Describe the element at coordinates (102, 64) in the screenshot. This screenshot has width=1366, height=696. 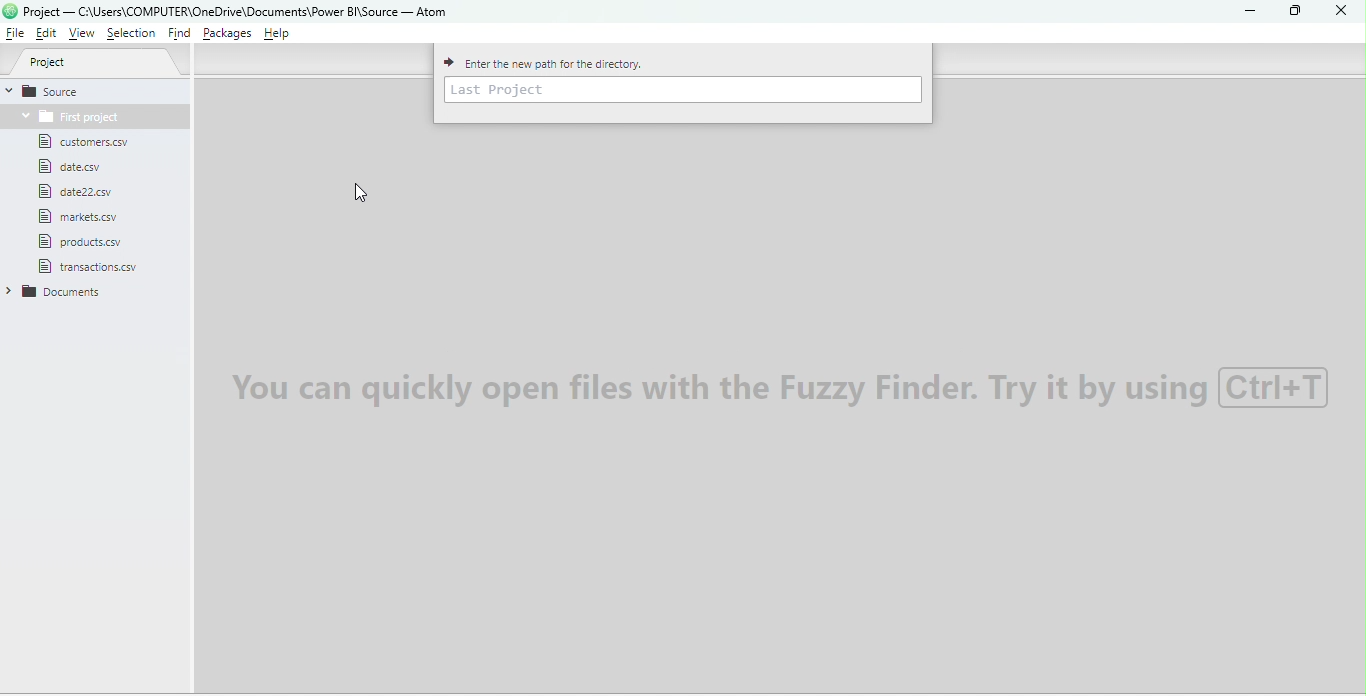
I see `Project` at that location.